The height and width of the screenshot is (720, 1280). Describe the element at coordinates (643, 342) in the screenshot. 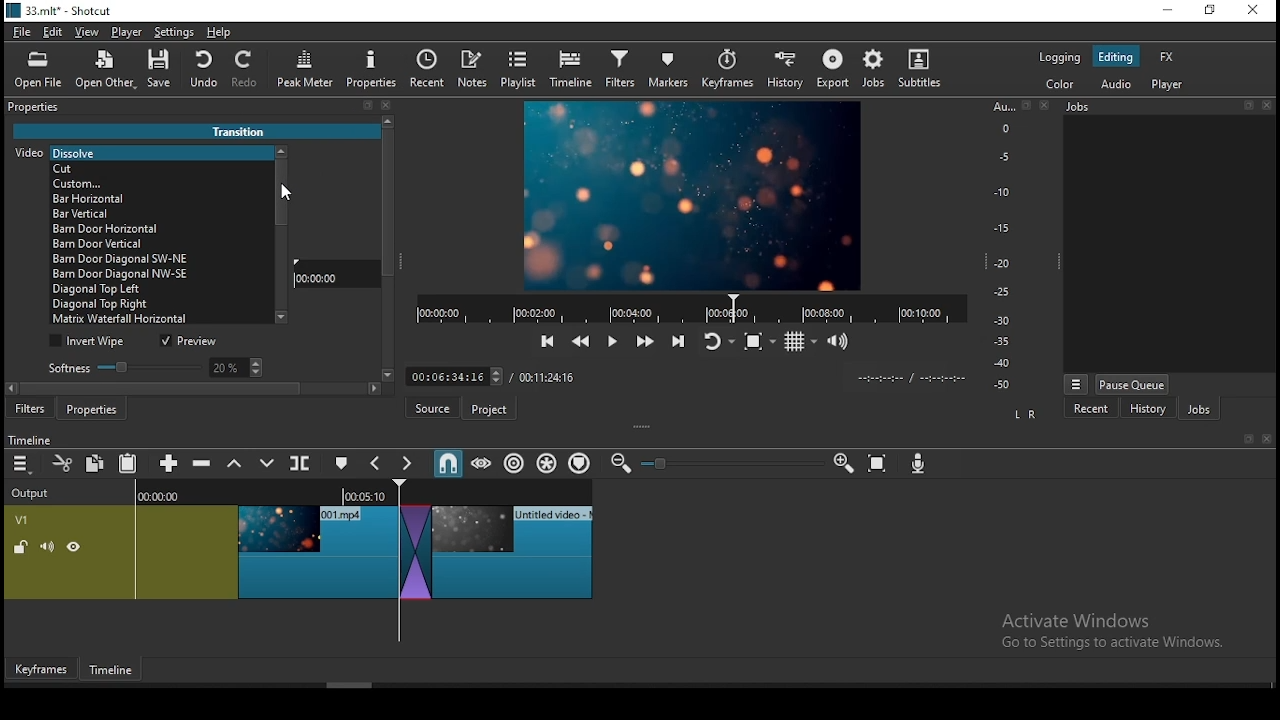

I see `play quickly forward` at that location.